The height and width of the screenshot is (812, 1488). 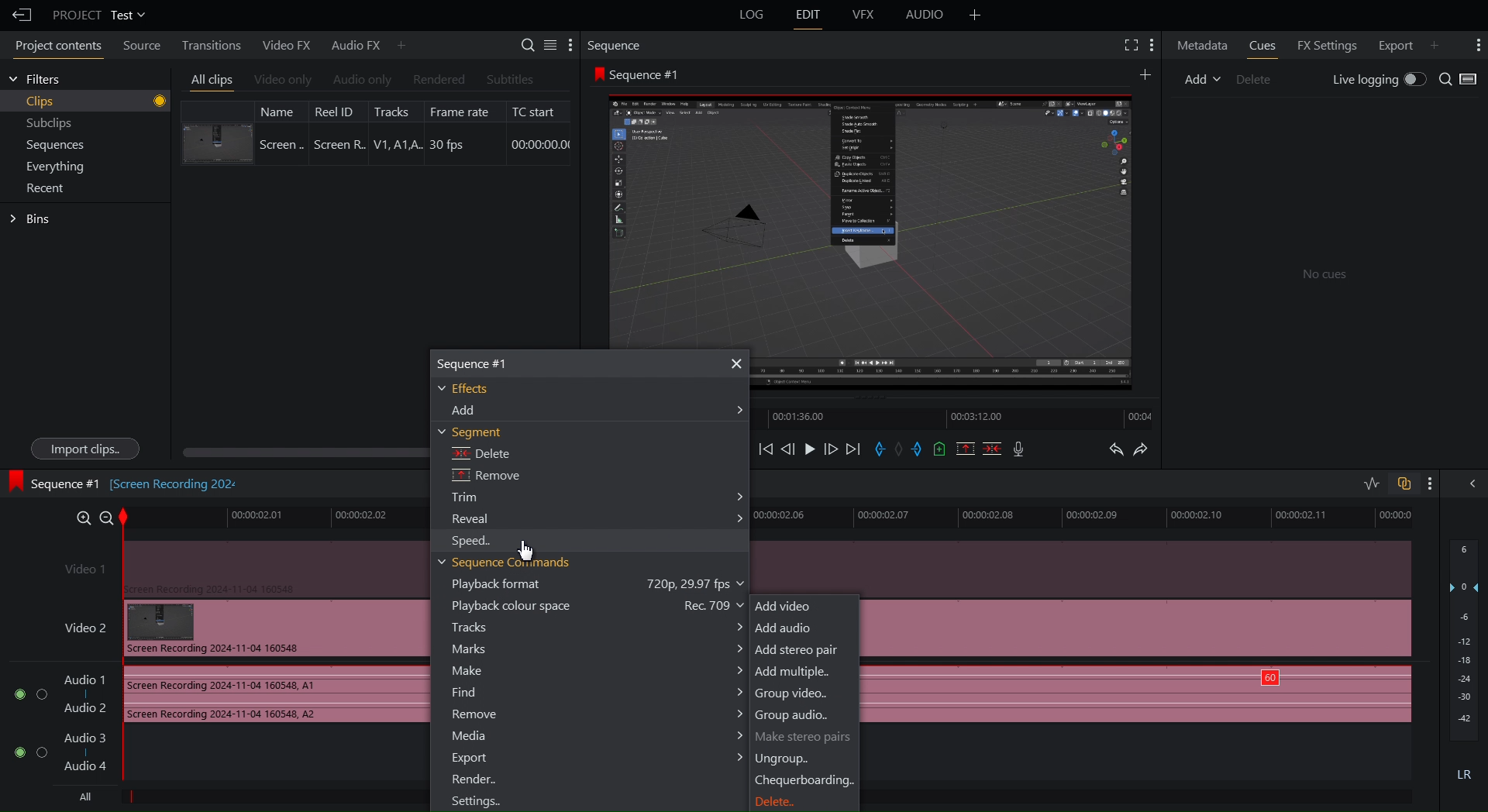 I want to click on Audio Only, so click(x=361, y=81).